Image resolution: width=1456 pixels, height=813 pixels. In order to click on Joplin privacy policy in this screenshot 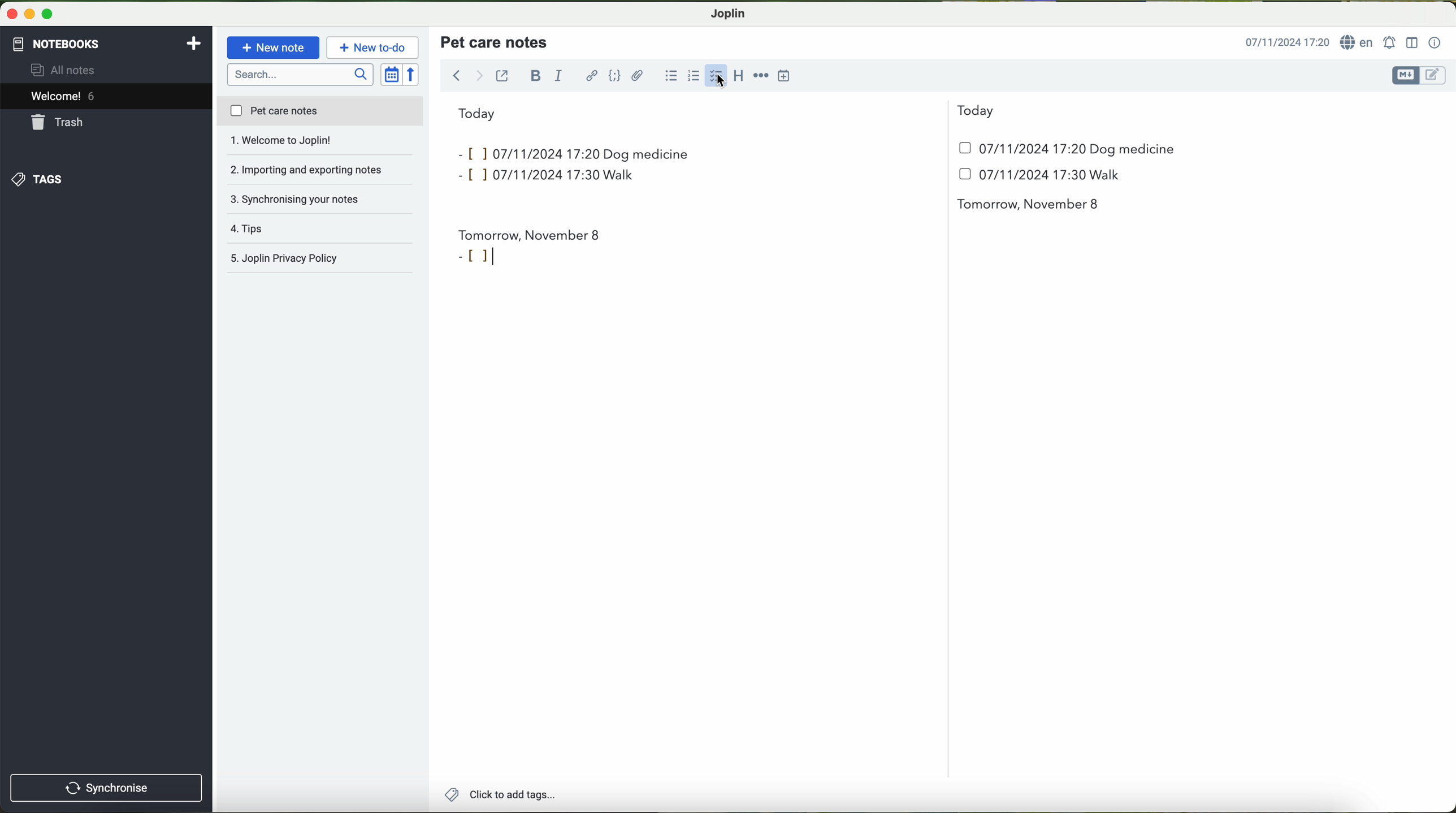, I will do `click(321, 229)`.